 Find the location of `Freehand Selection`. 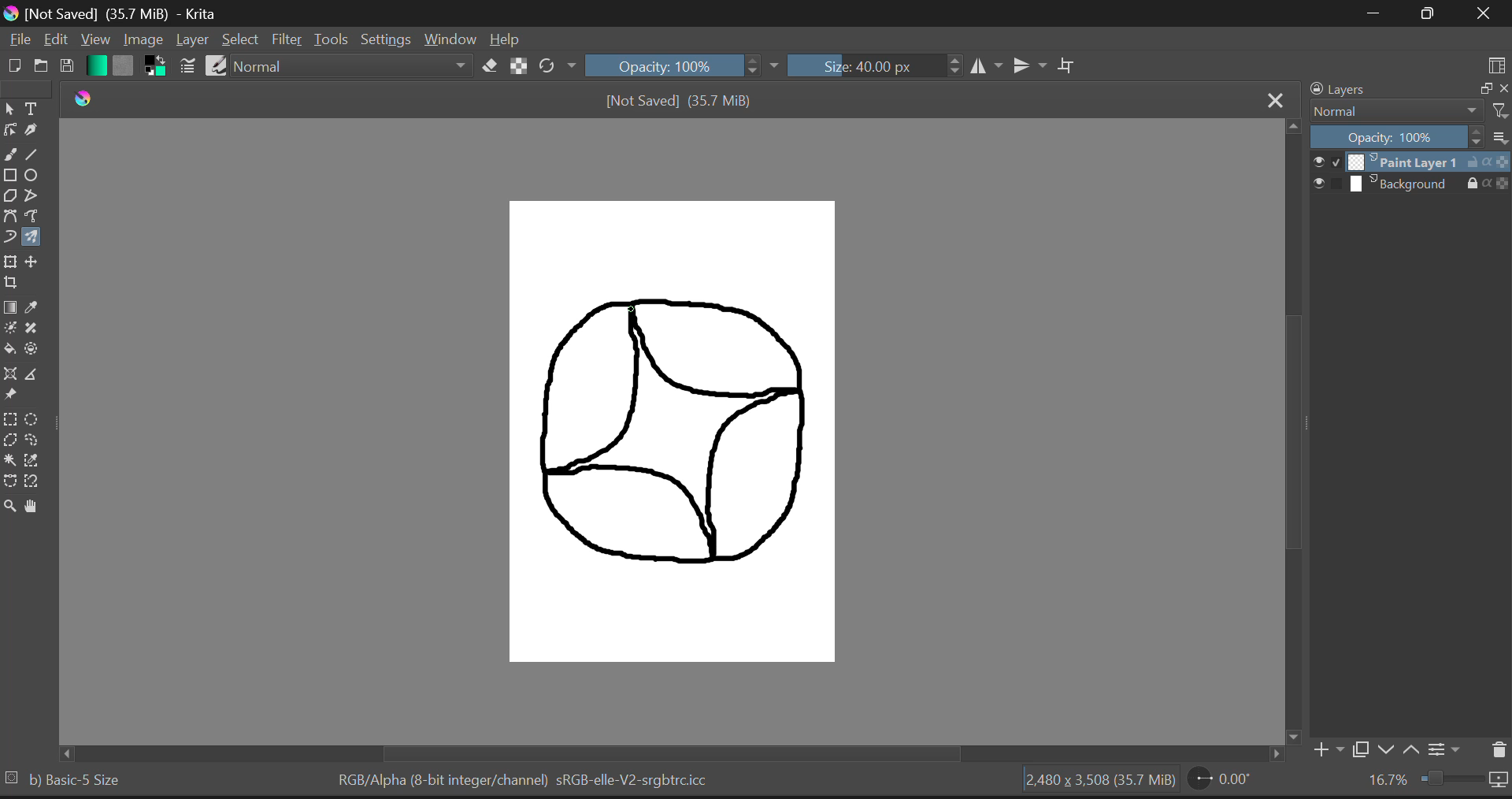

Freehand Selection is located at coordinates (38, 440).